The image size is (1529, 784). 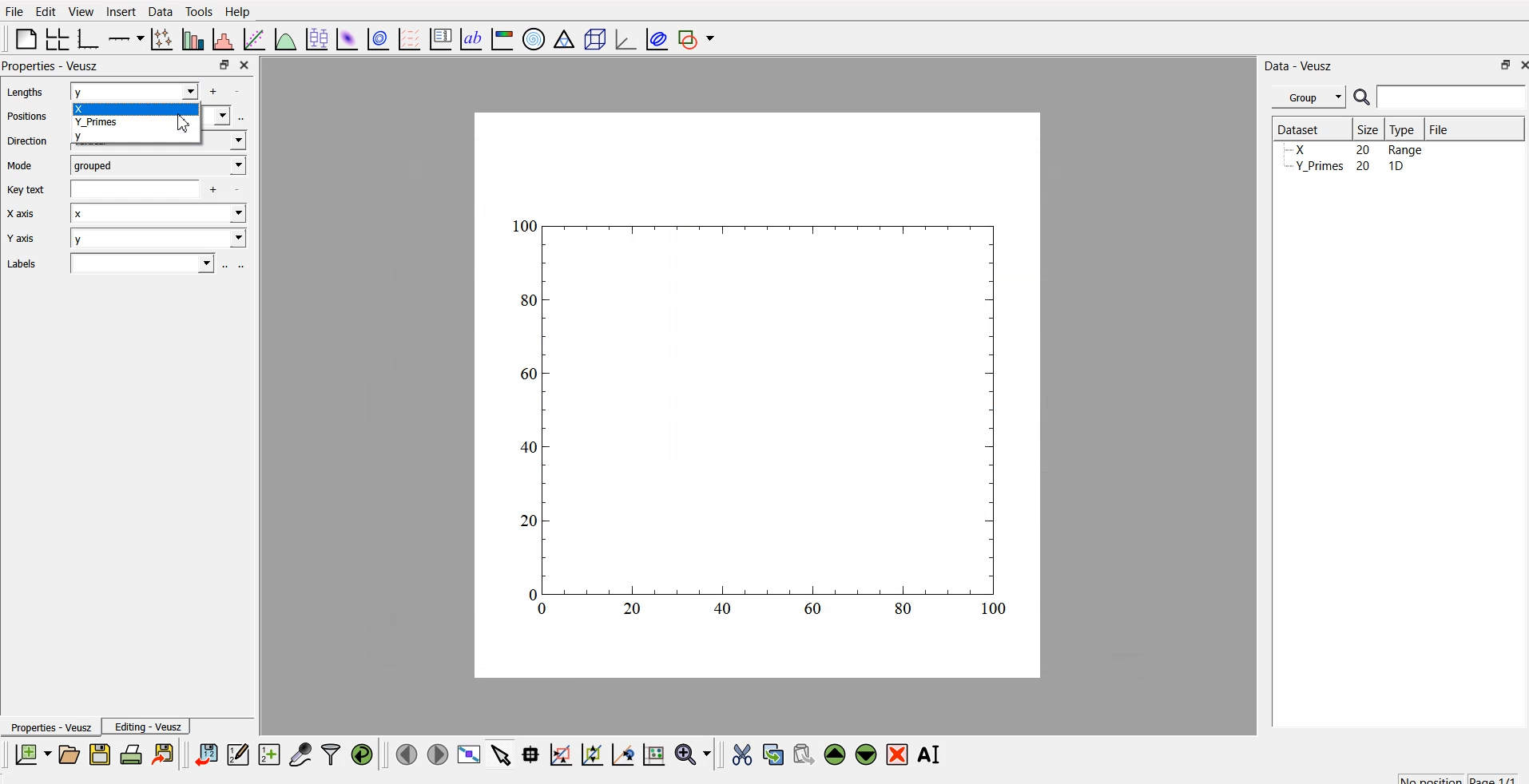 I want to click on plot key, so click(x=441, y=37).